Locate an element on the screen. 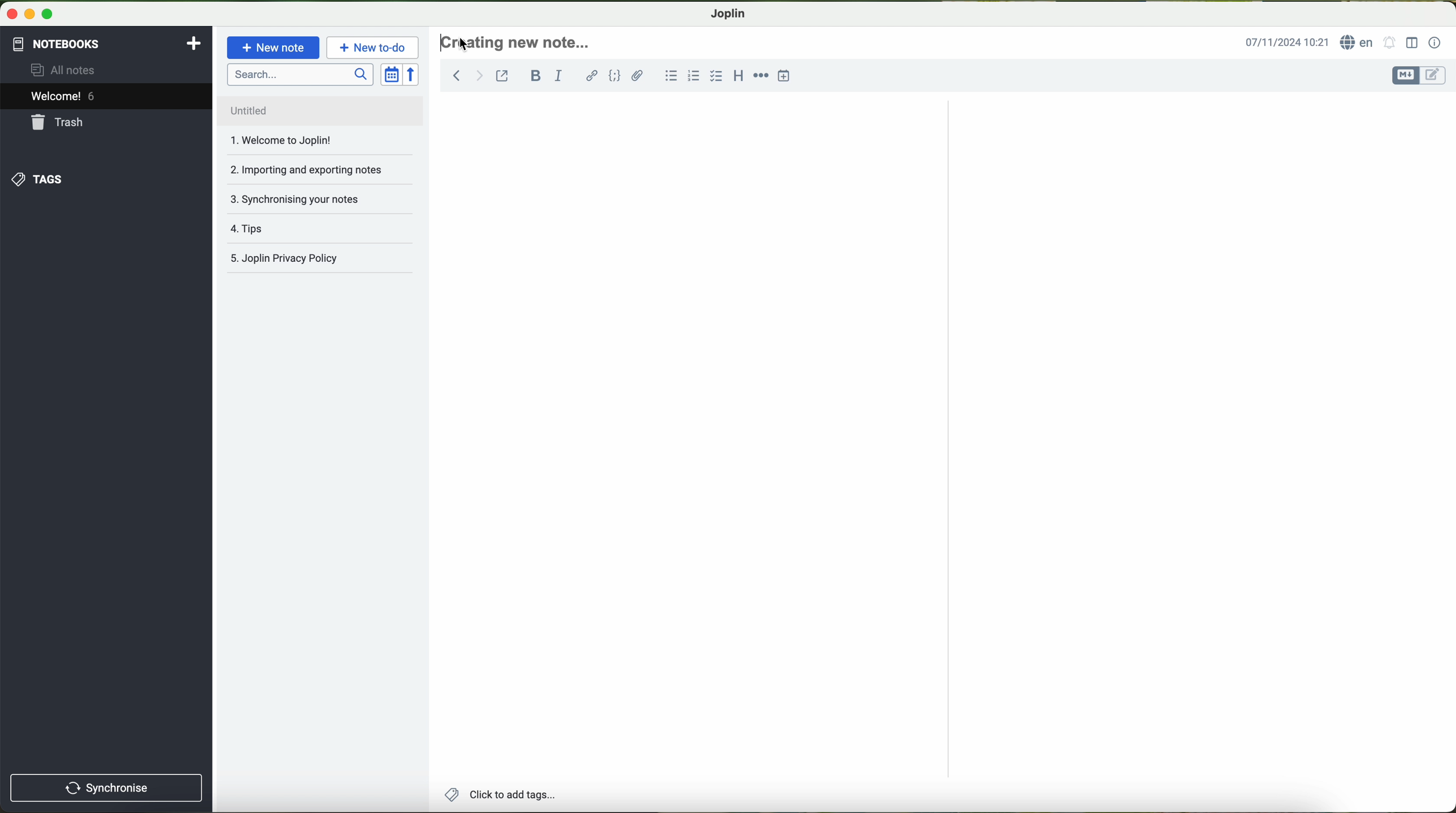  add tags is located at coordinates (497, 795).